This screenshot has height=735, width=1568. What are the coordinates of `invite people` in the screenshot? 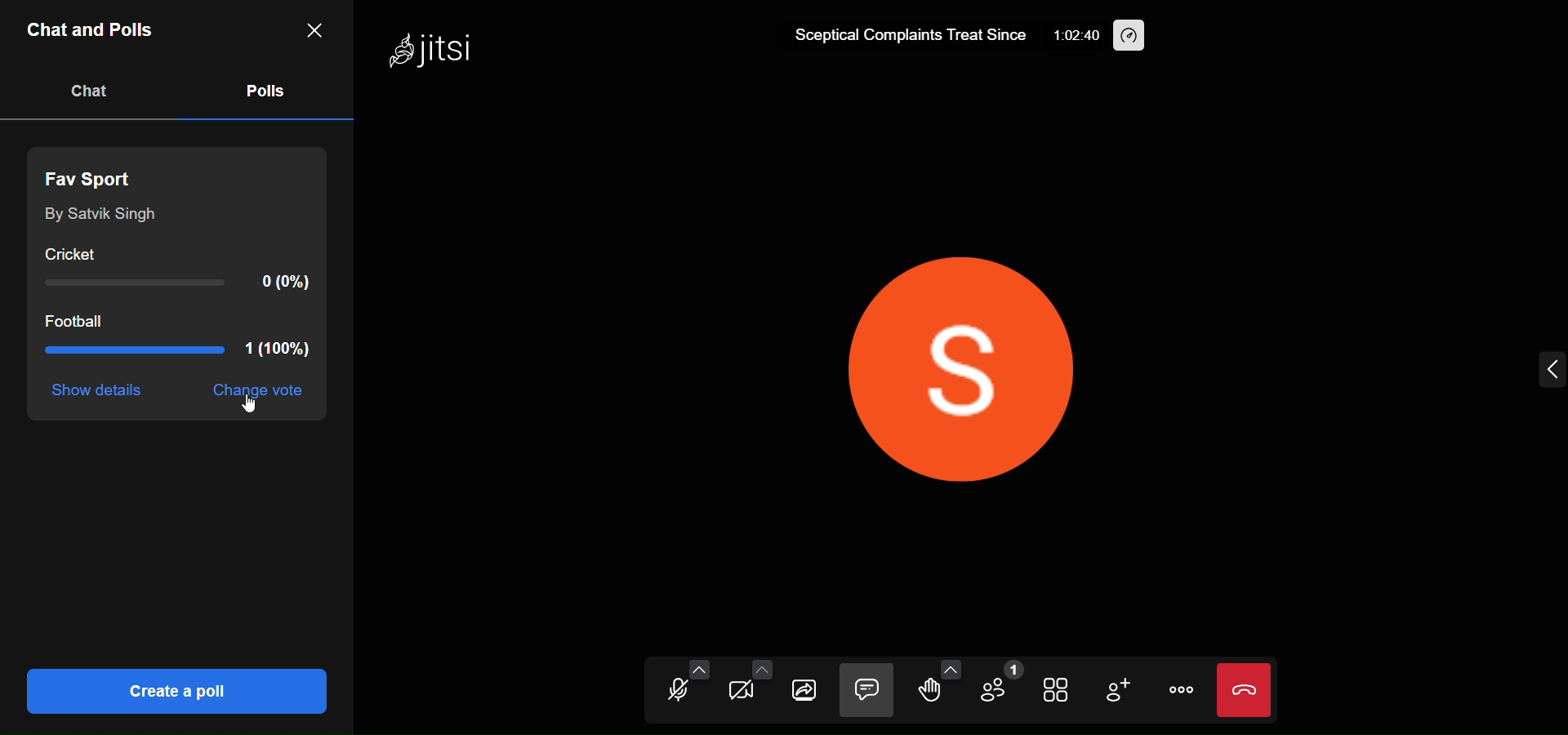 It's located at (1117, 691).